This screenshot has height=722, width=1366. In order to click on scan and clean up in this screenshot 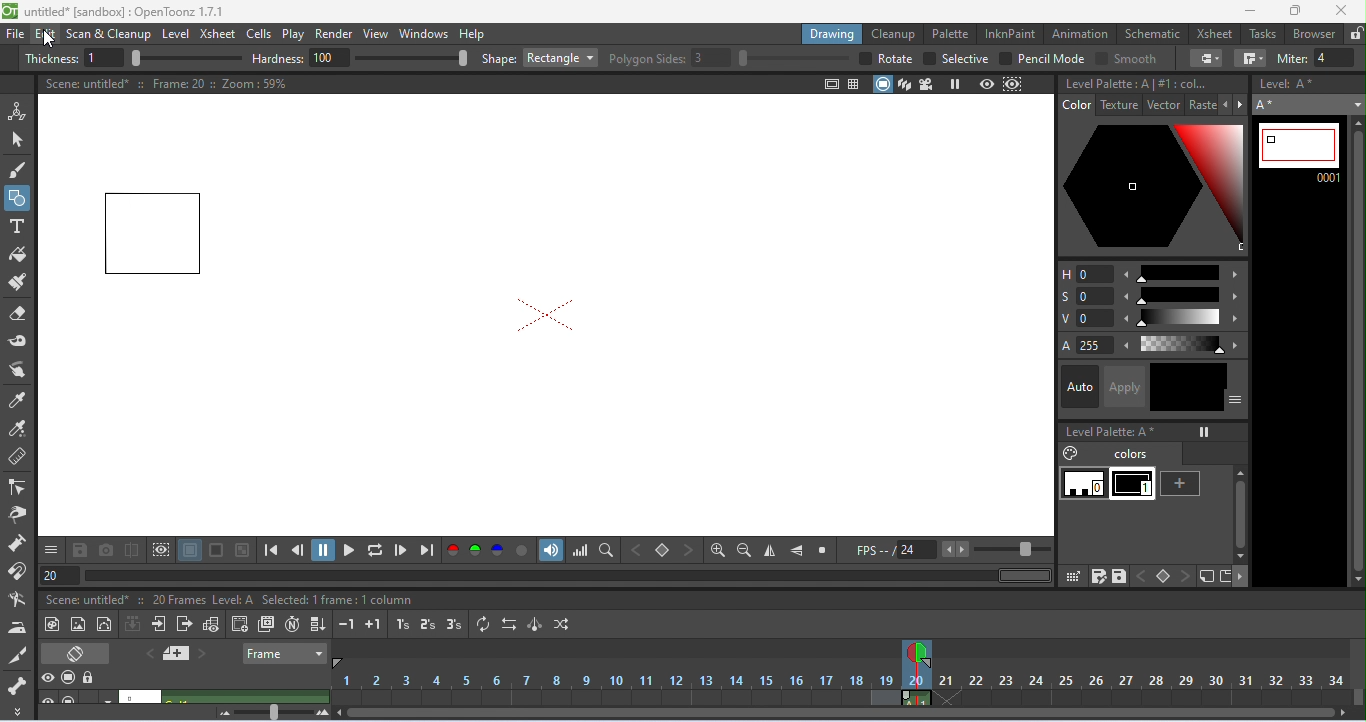, I will do `click(107, 35)`.